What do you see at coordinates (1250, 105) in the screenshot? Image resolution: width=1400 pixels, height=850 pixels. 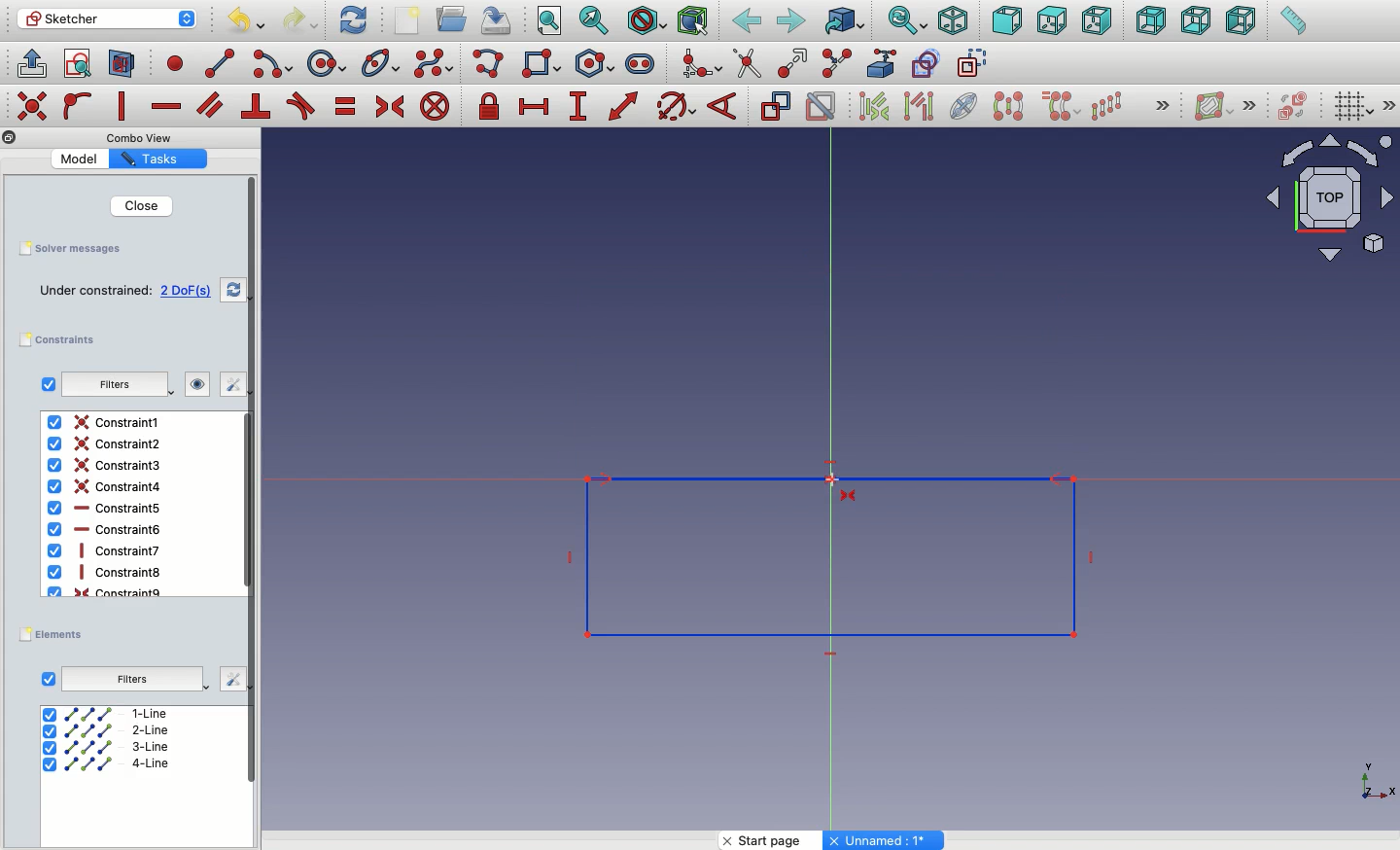 I see `Expand` at bounding box center [1250, 105].